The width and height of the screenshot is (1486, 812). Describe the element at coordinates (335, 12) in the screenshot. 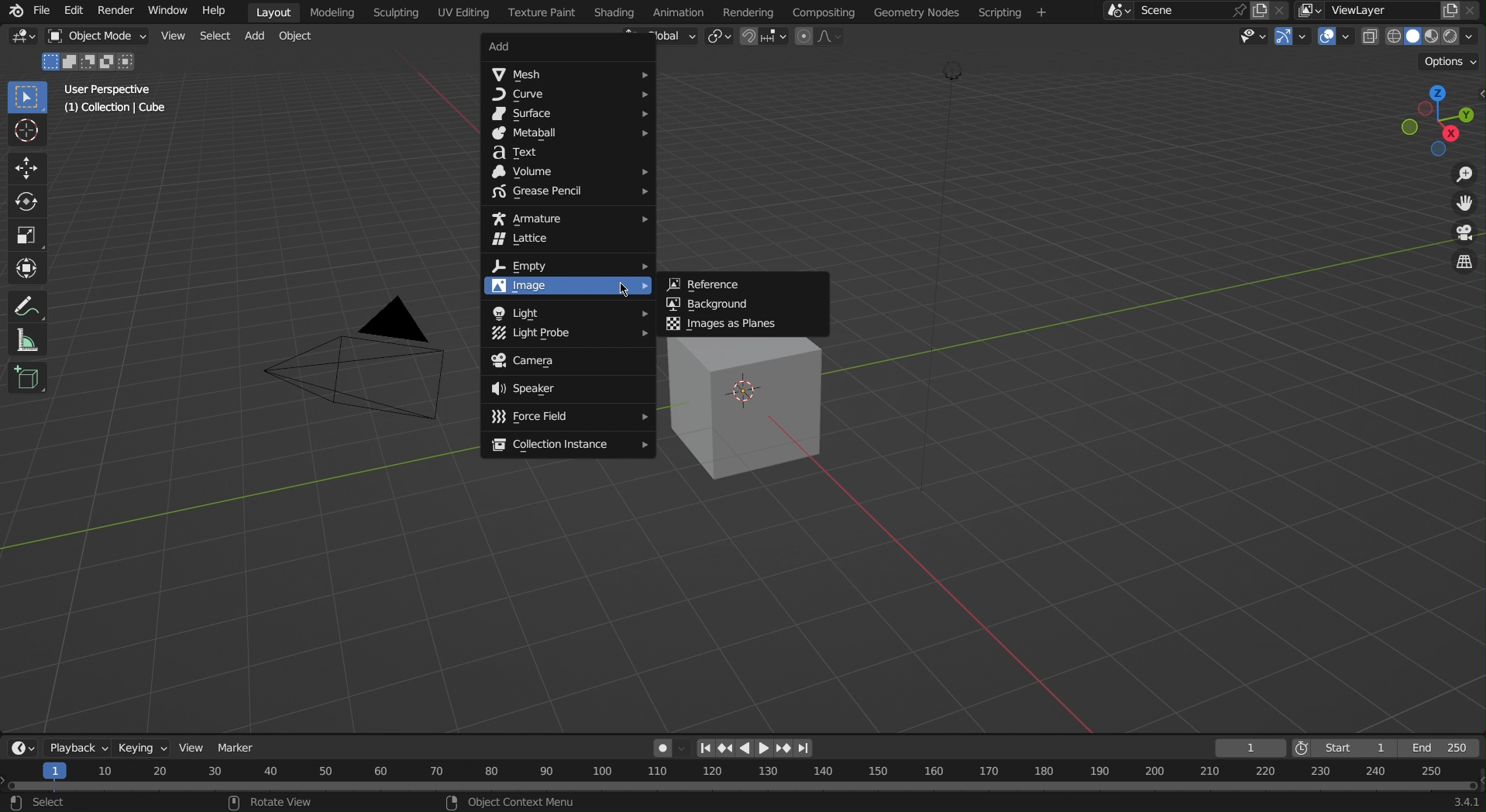

I see `Modeling` at that location.